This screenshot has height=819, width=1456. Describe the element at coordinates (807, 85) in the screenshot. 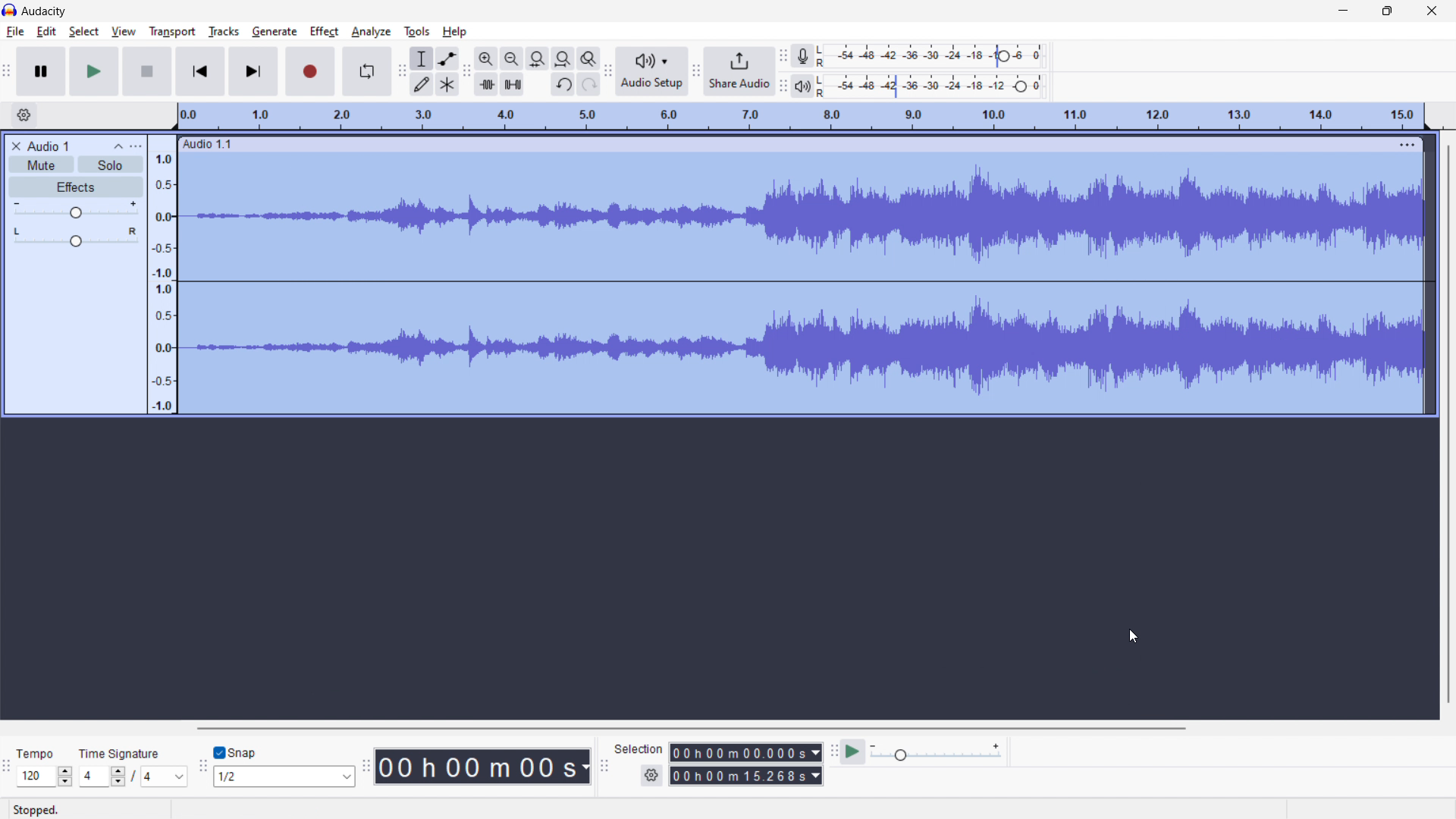

I see `playback meter` at that location.